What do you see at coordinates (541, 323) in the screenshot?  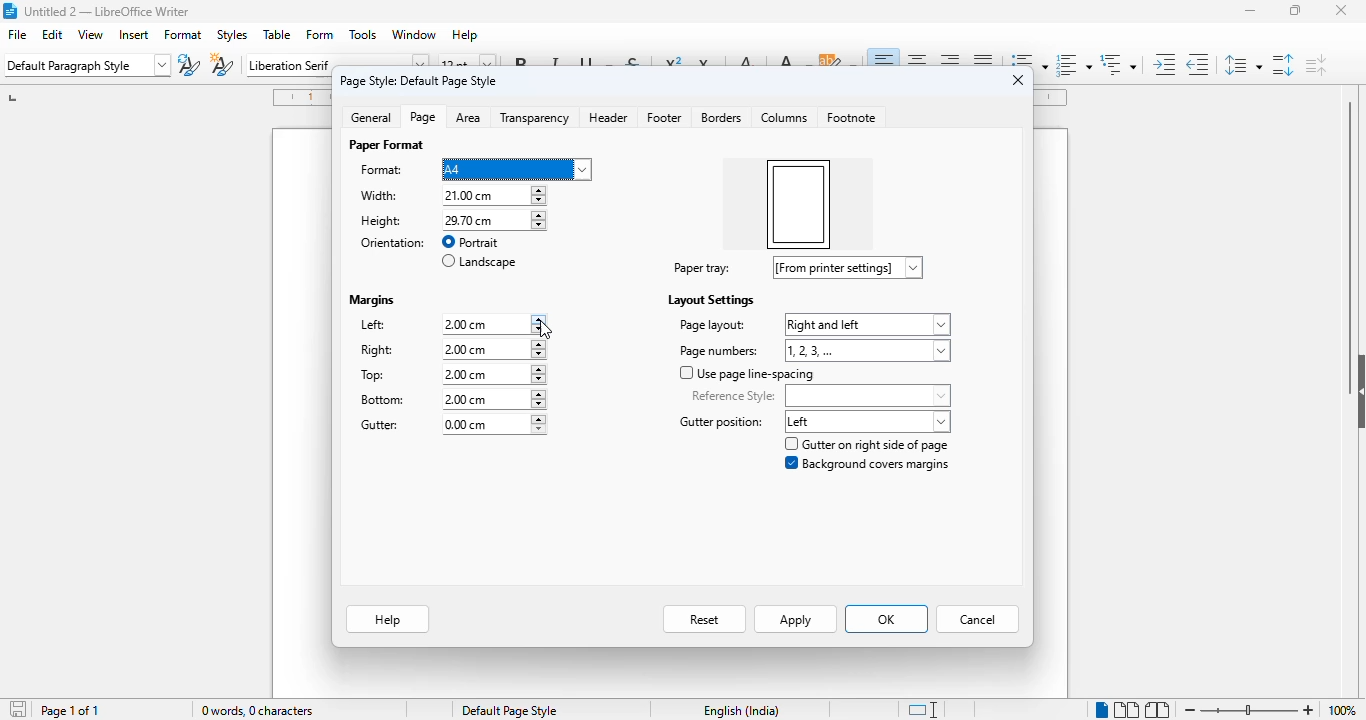 I see `increment or decrement` at bounding box center [541, 323].